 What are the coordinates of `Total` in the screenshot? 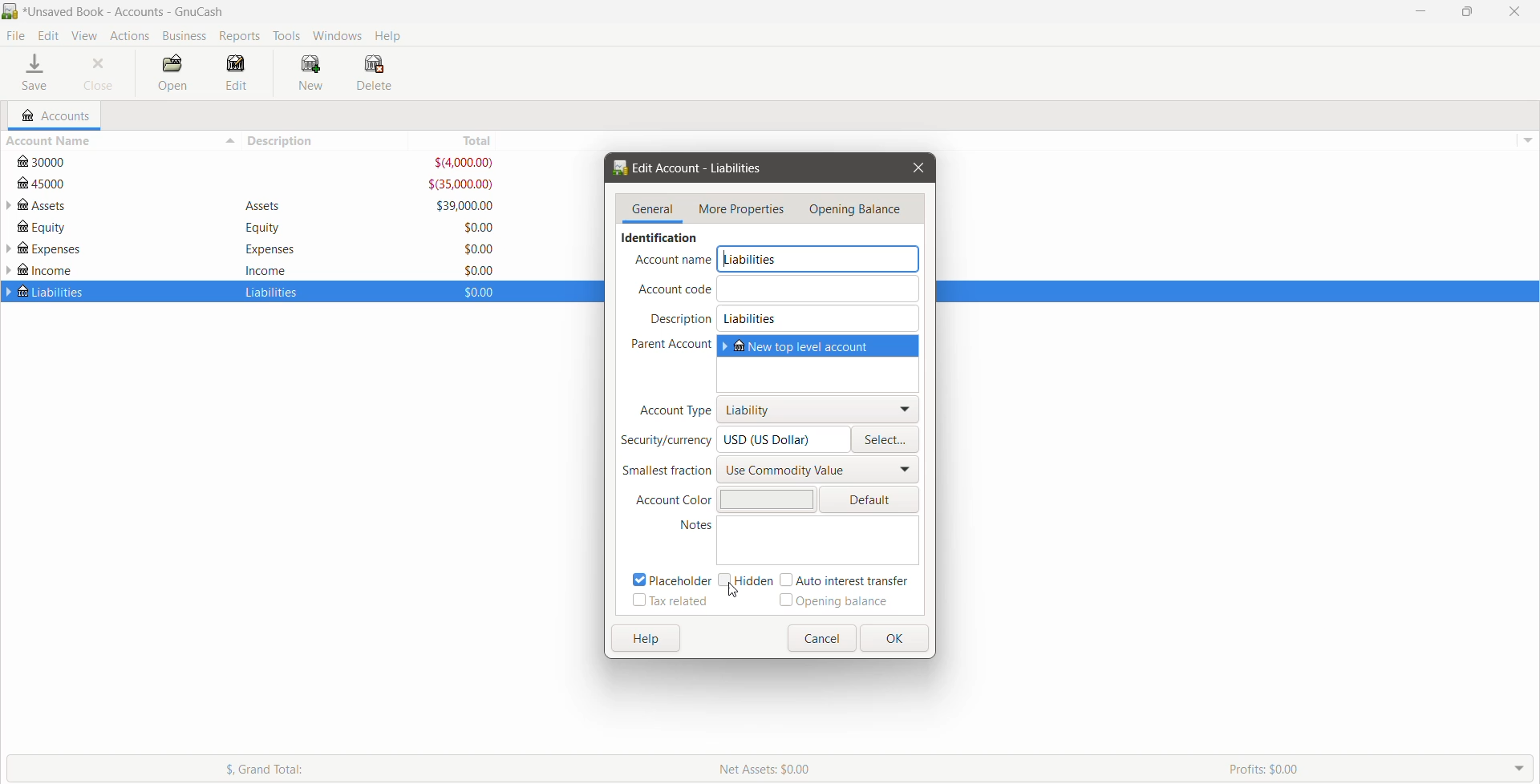 It's located at (464, 140).